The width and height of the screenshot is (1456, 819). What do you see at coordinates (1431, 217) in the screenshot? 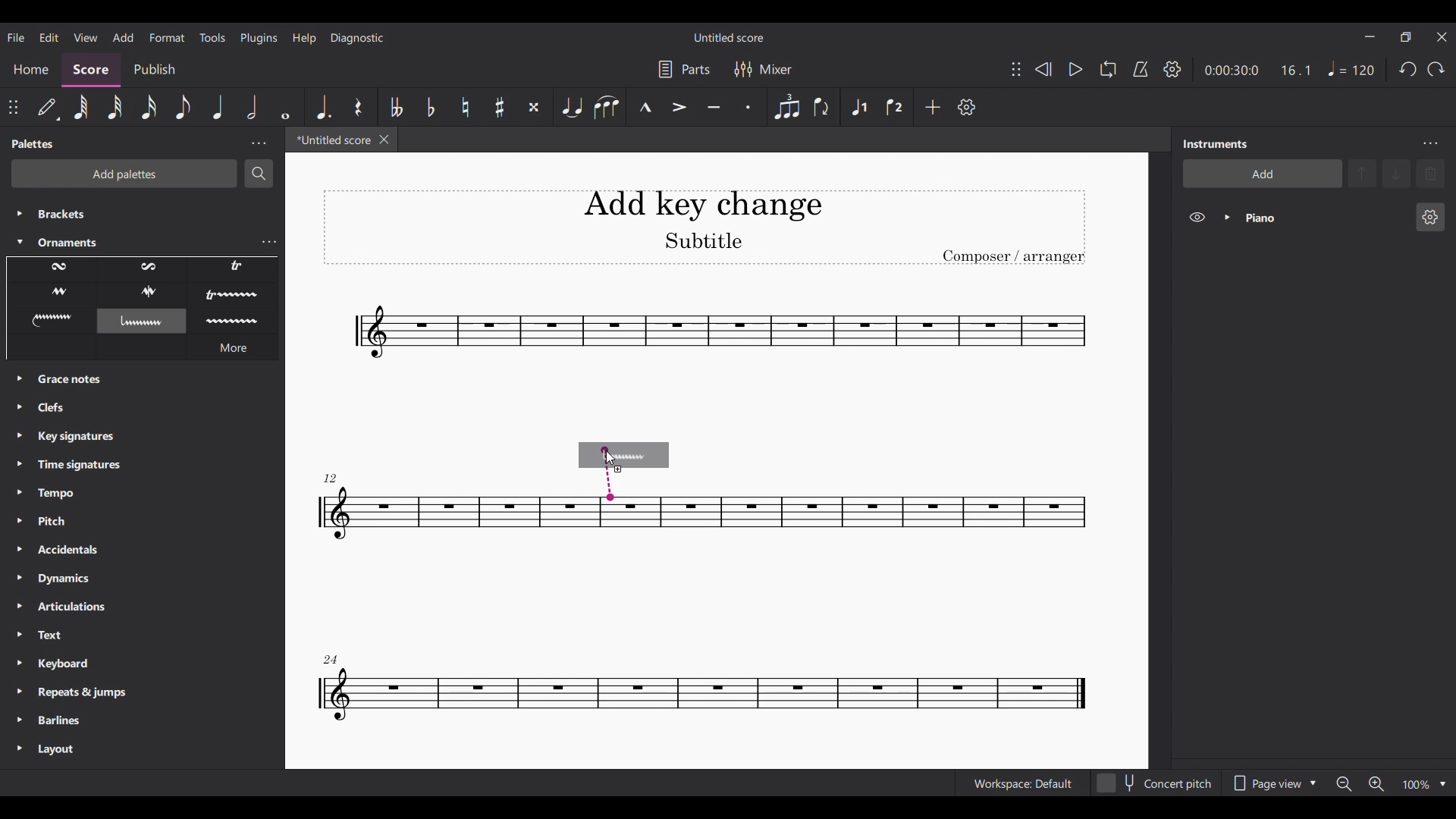
I see `Piano settings` at bounding box center [1431, 217].